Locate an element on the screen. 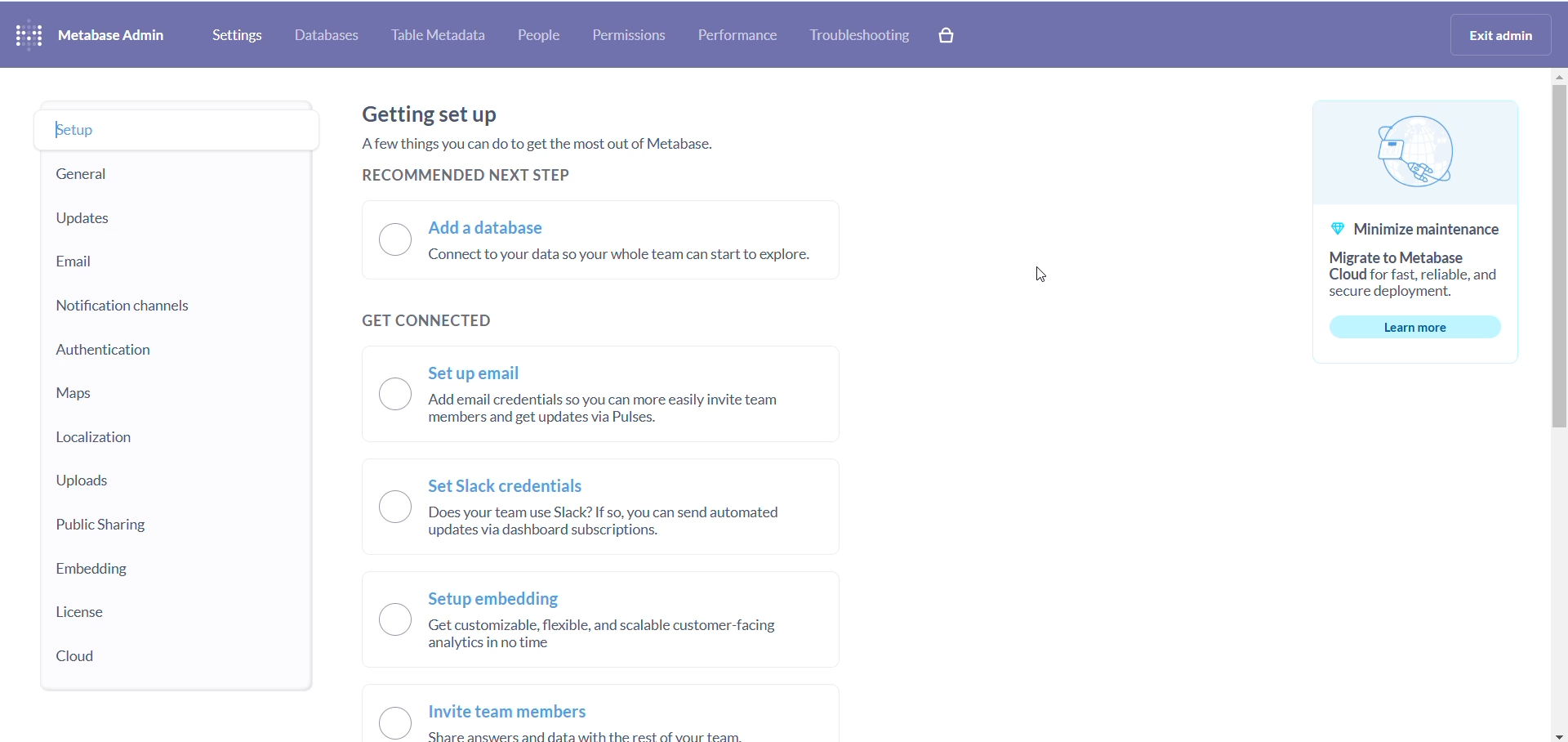  cart is located at coordinates (949, 37).